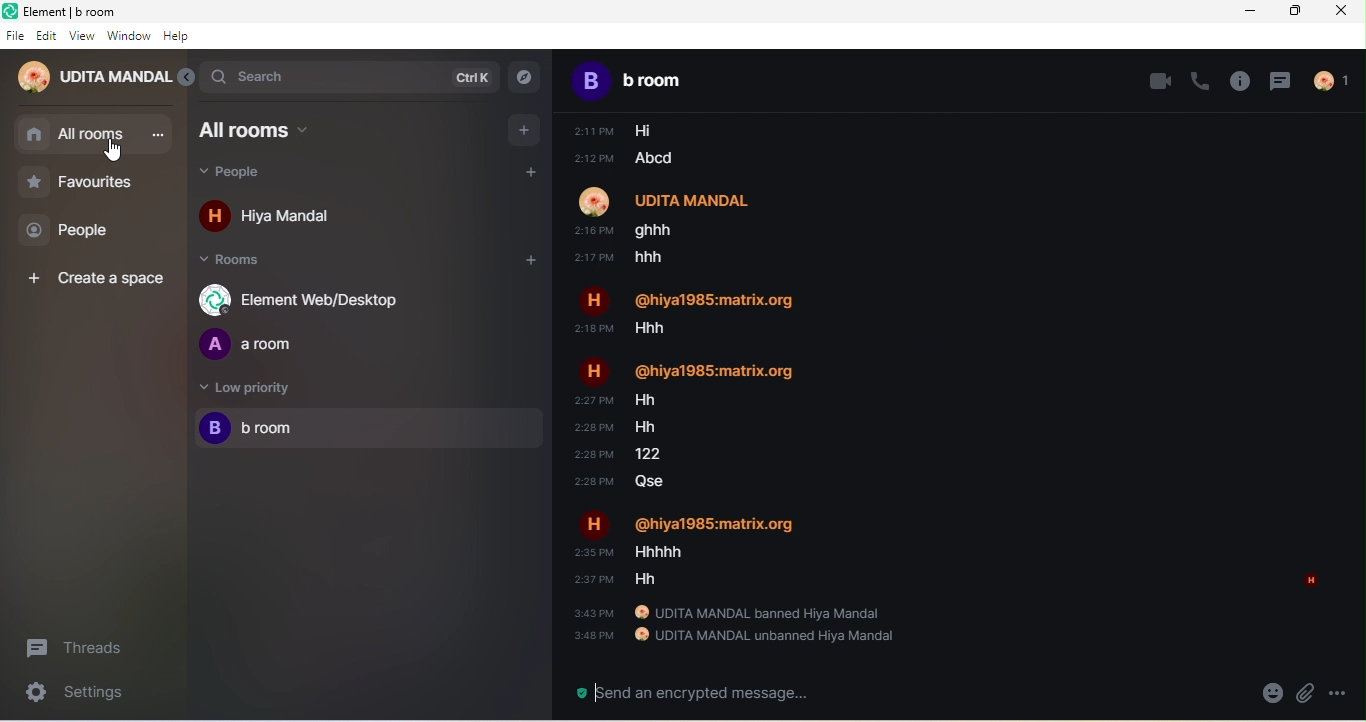 The height and width of the screenshot is (722, 1366). I want to click on search, so click(350, 76).